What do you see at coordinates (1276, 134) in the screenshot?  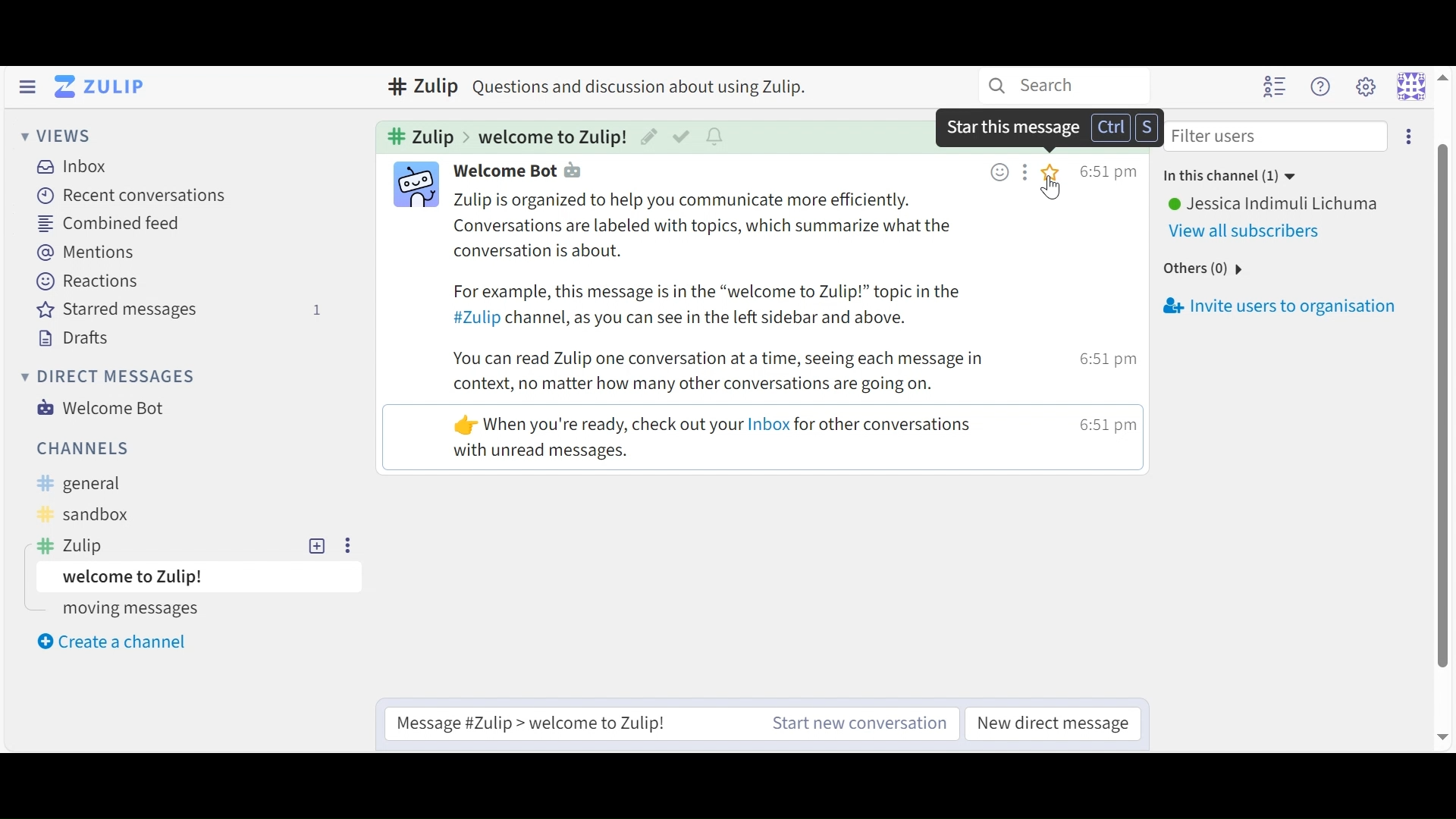 I see `Filter users` at bounding box center [1276, 134].